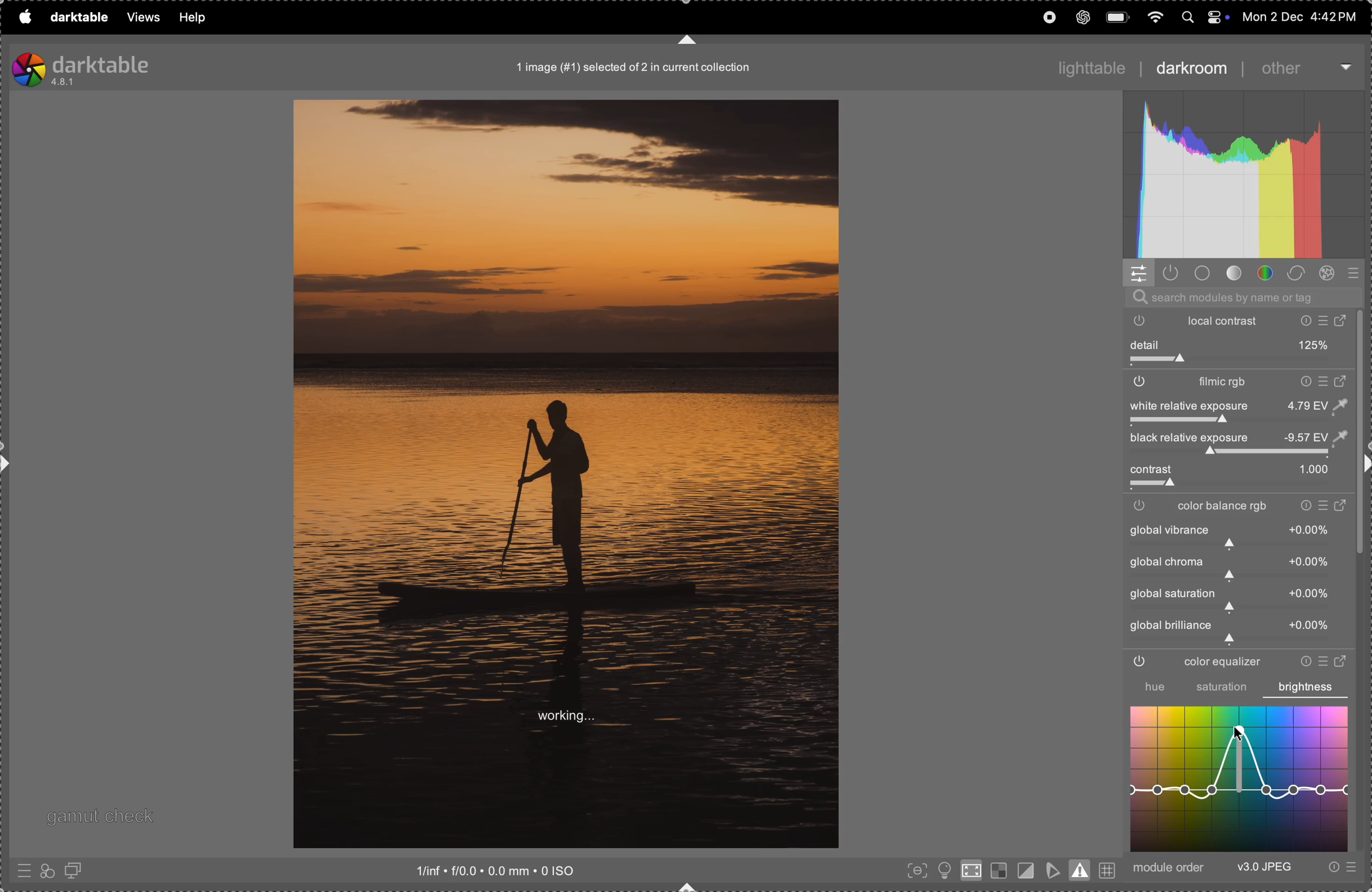 This screenshot has width=1372, height=892. What do you see at coordinates (943, 870) in the screenshot?
I see `toggle iso` at bounding box center [943, 870].